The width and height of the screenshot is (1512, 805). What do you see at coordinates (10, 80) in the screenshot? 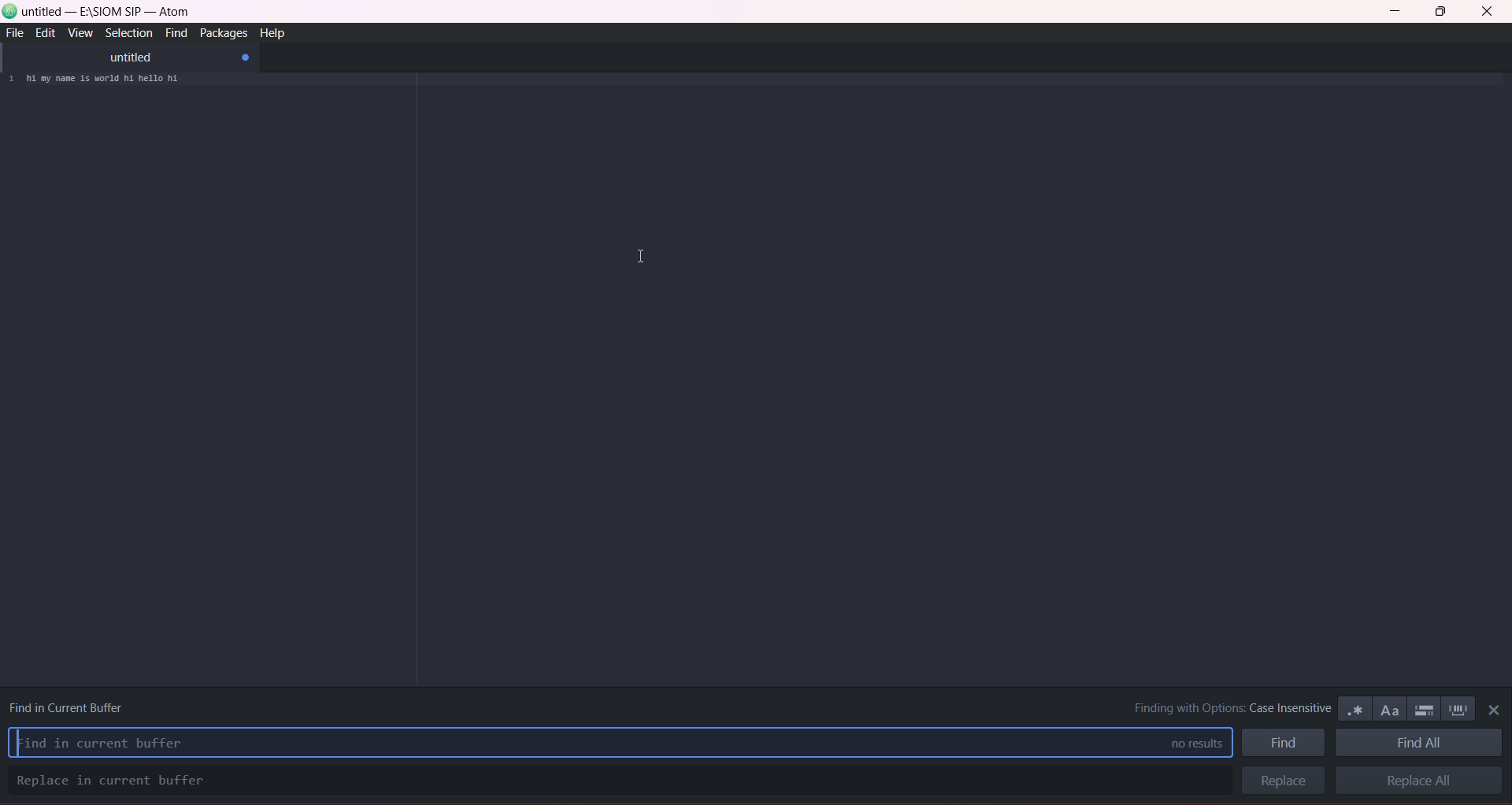
I see `1` at bounding box center [10, 80].